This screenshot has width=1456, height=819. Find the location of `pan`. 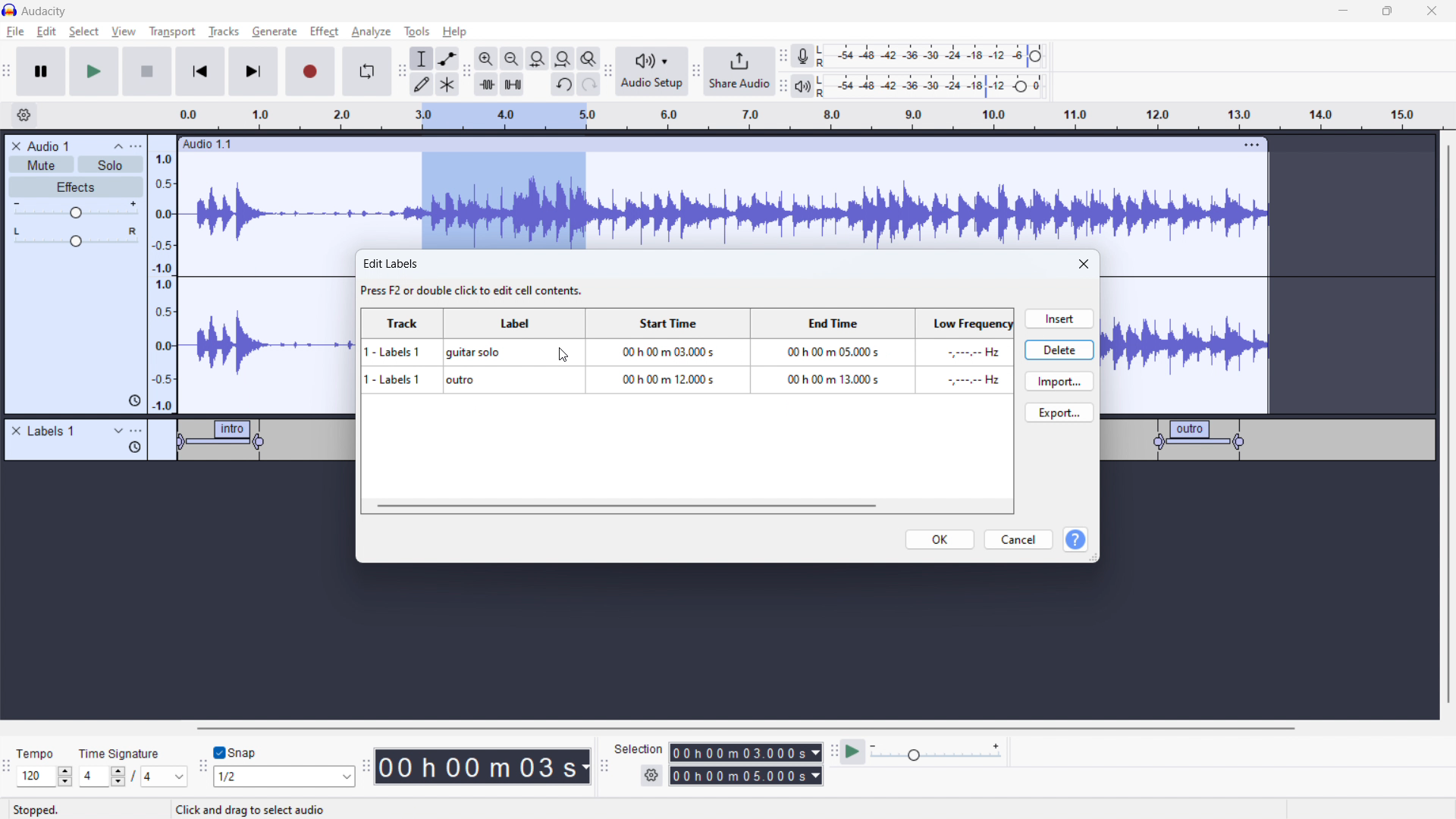

pan is located at coordinates (76, 237).